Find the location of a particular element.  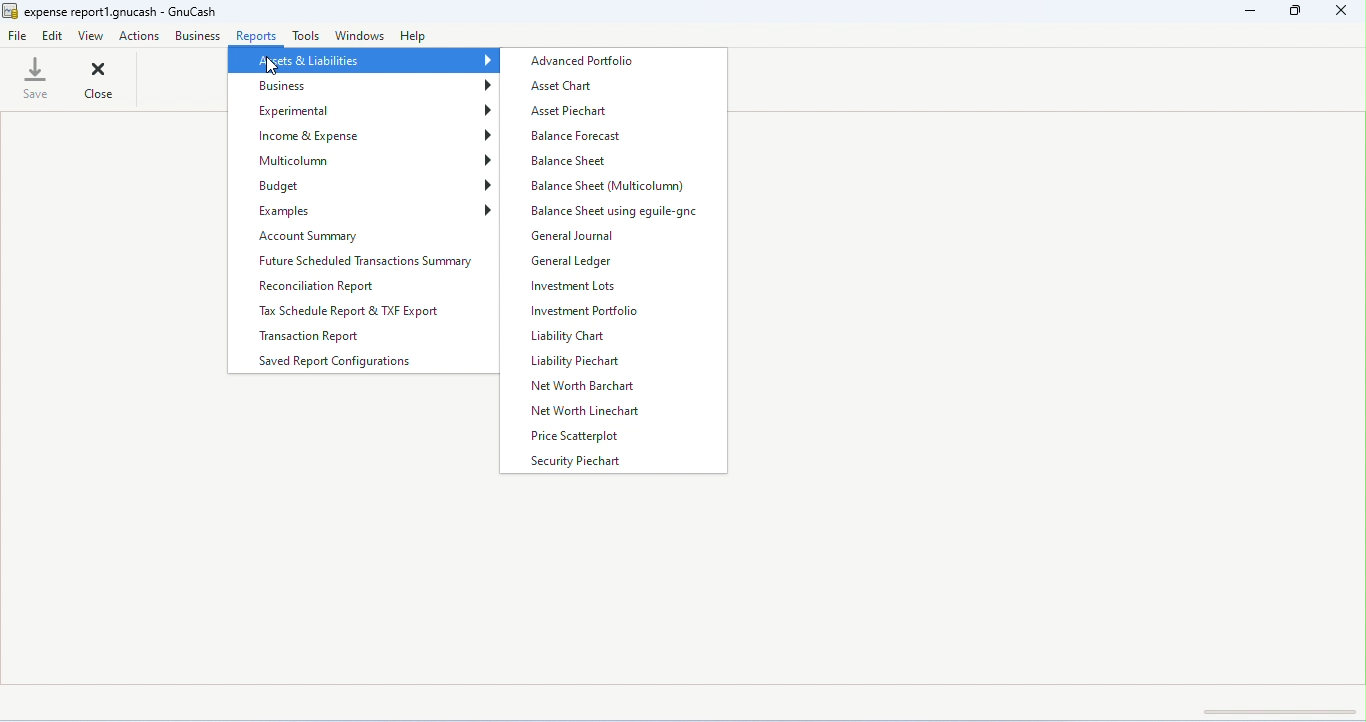

general ledger is located at coordinates (575, 261).